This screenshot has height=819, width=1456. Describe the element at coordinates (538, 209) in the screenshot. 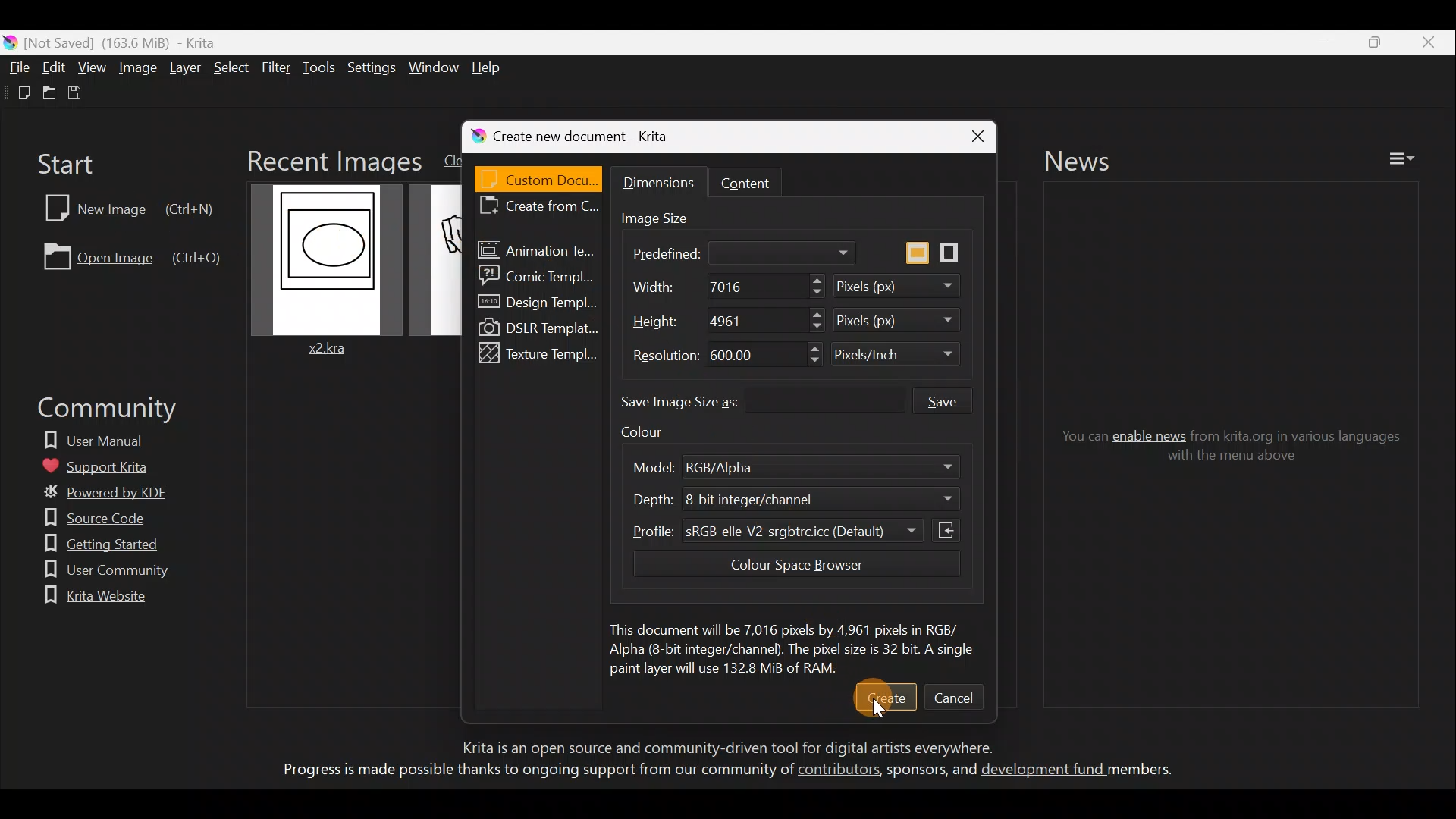

I see `Create from clipboard` at that location.